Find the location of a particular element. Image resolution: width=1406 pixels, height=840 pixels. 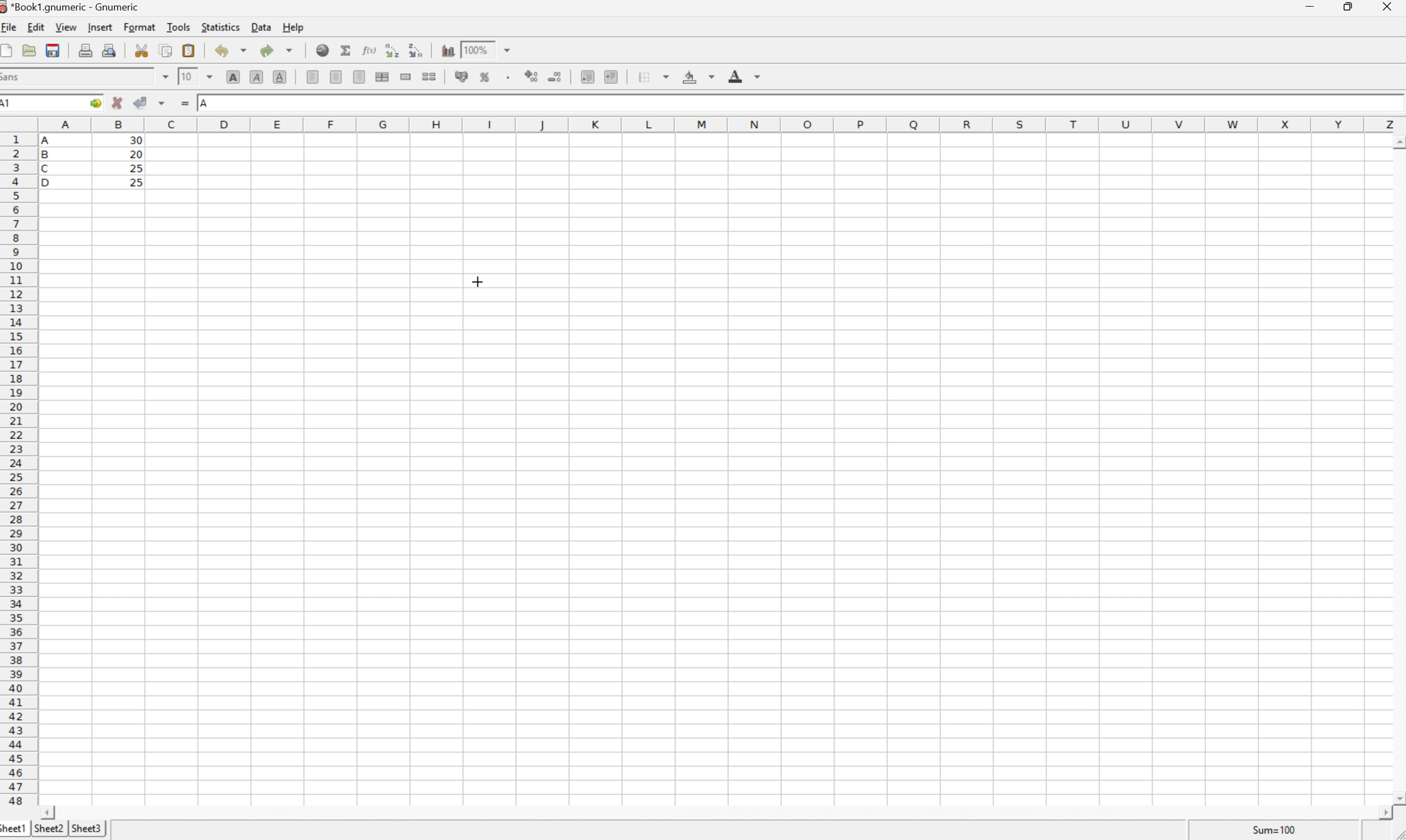

Decrease number of decimals displayed is located at coordinates (557, 78).